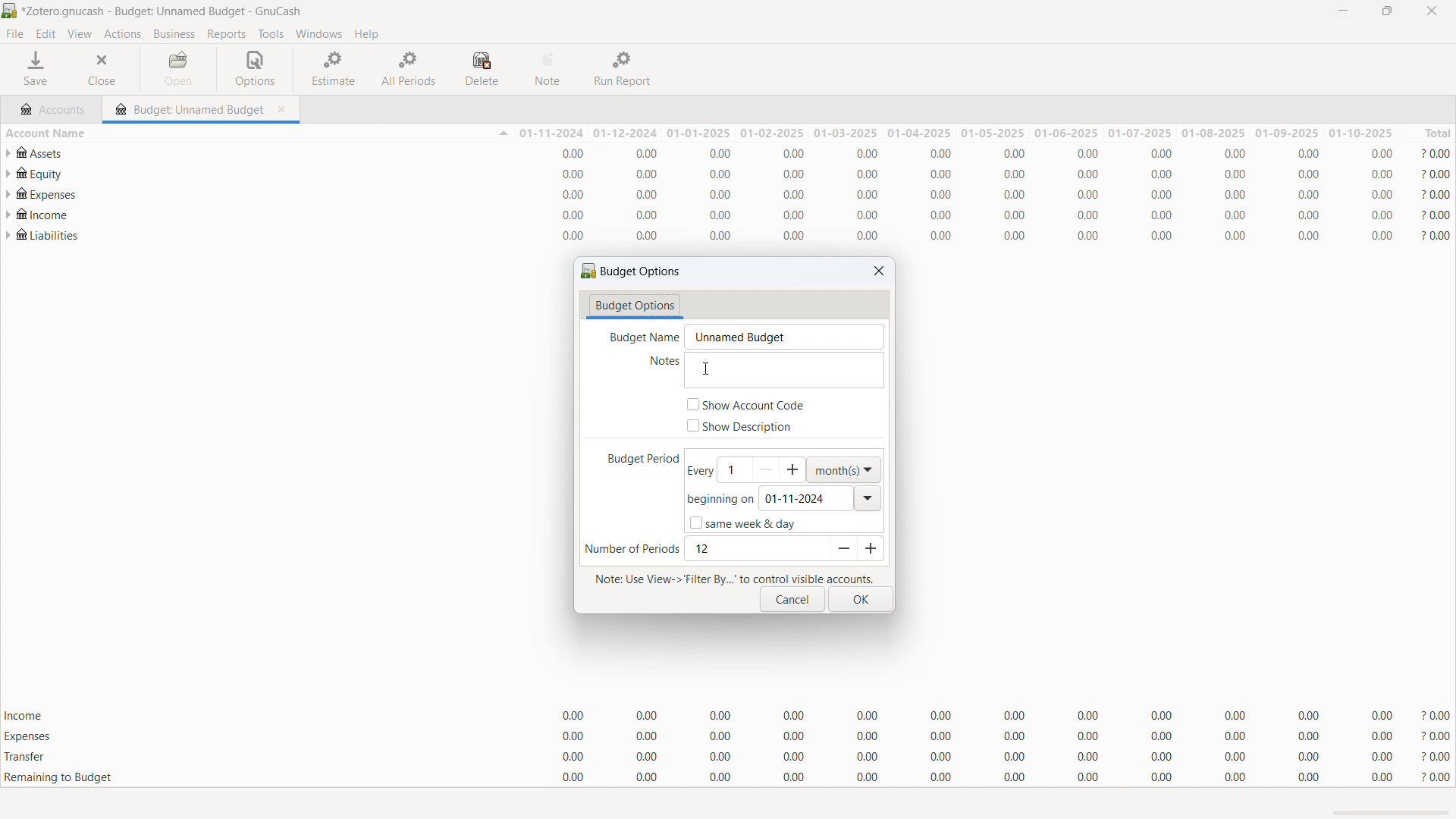 This screenshot has height=819, width=1456. What do you see at coordinates (844, 132) in the screenshot?
I see `01-03-2025` at bounding box center [844, 132].